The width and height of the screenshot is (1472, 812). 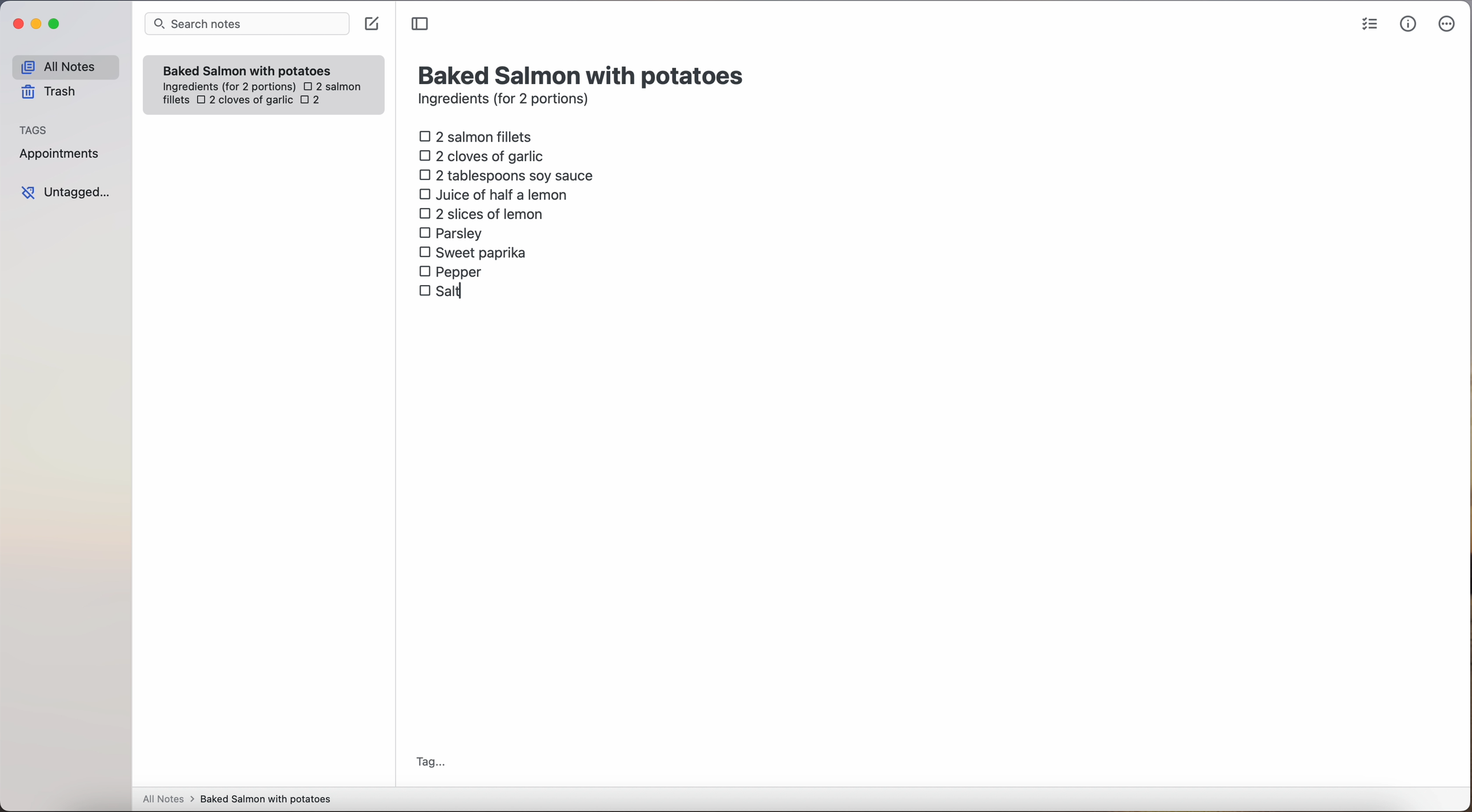 I want to click on parsley, so click(x=451, y=232).